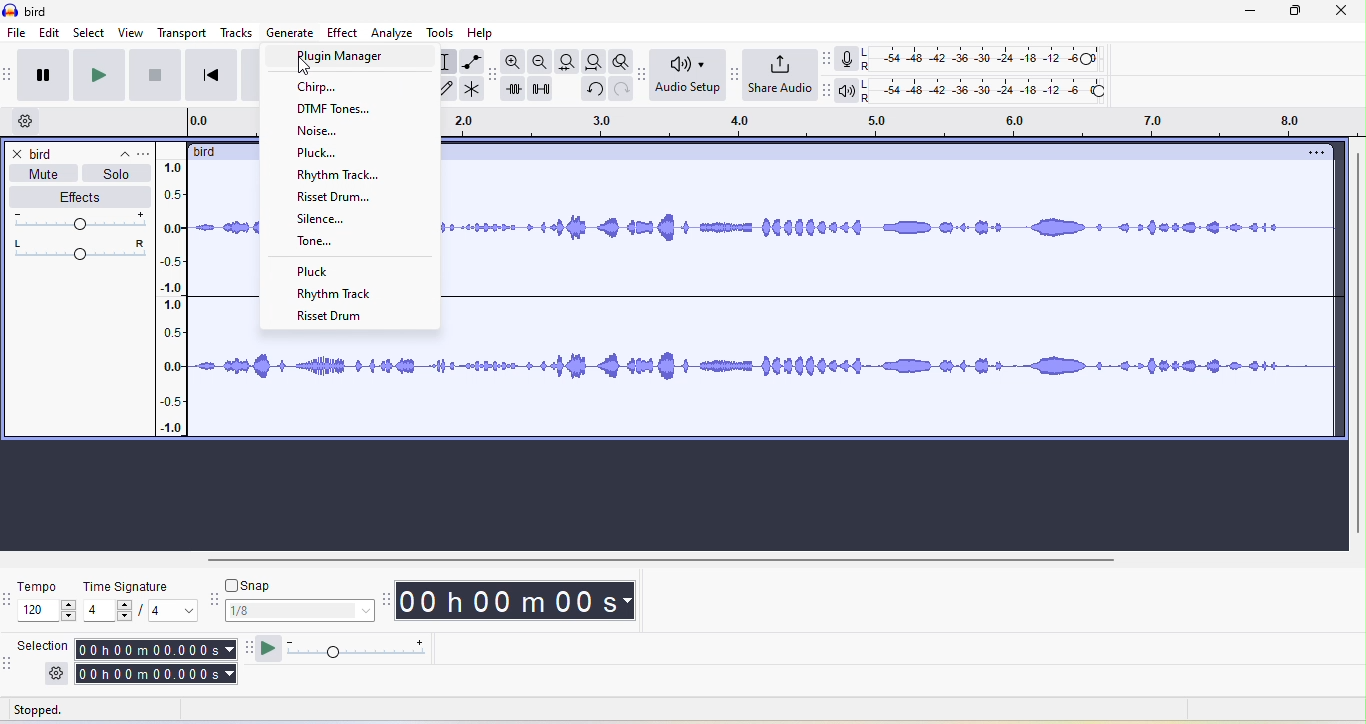 The image size is (1366, 724). I want to click on timeline option, so click(25, 123).